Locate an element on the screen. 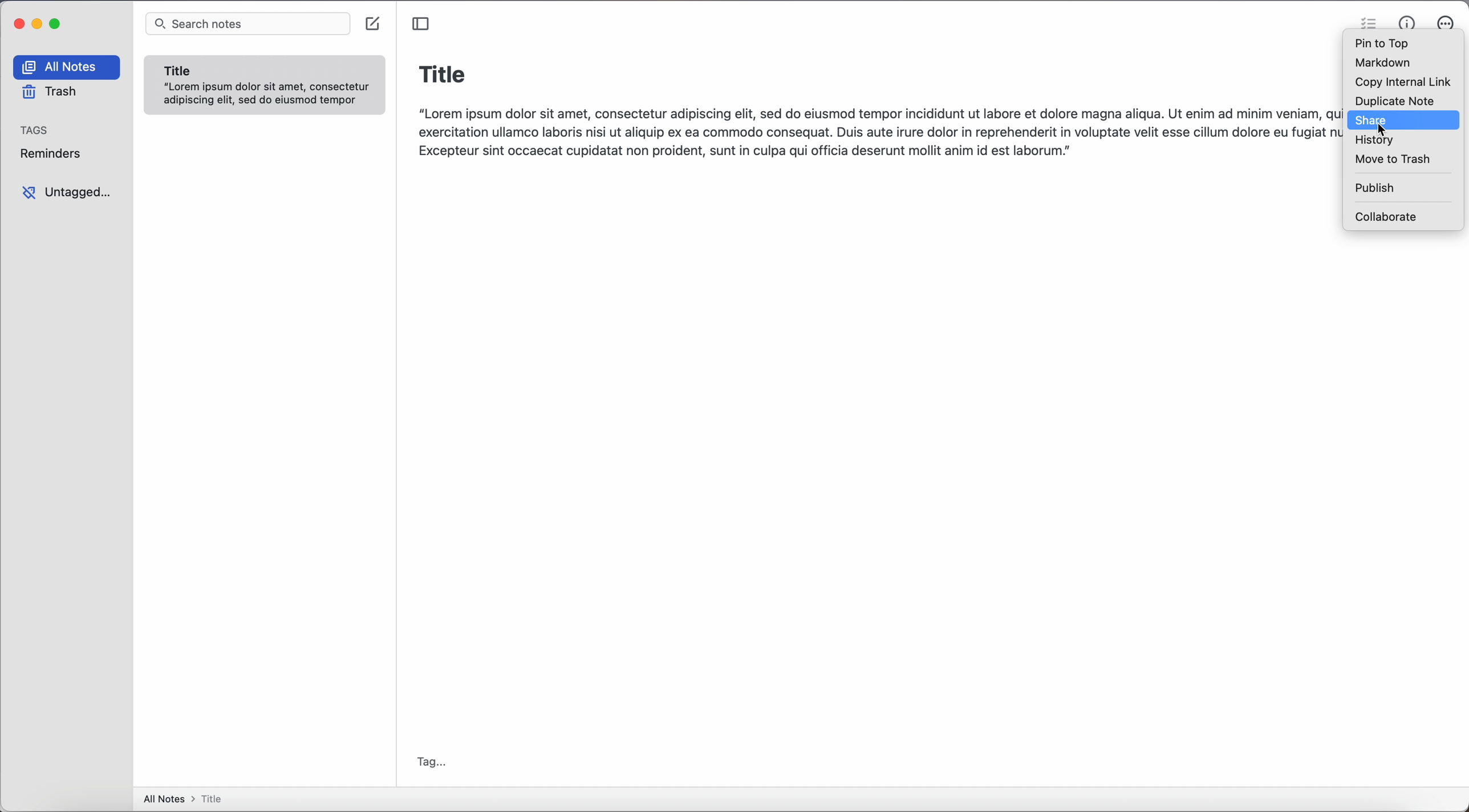 This screenshot has height=812, width=1469. check list is located at coordinates (1369, 22).